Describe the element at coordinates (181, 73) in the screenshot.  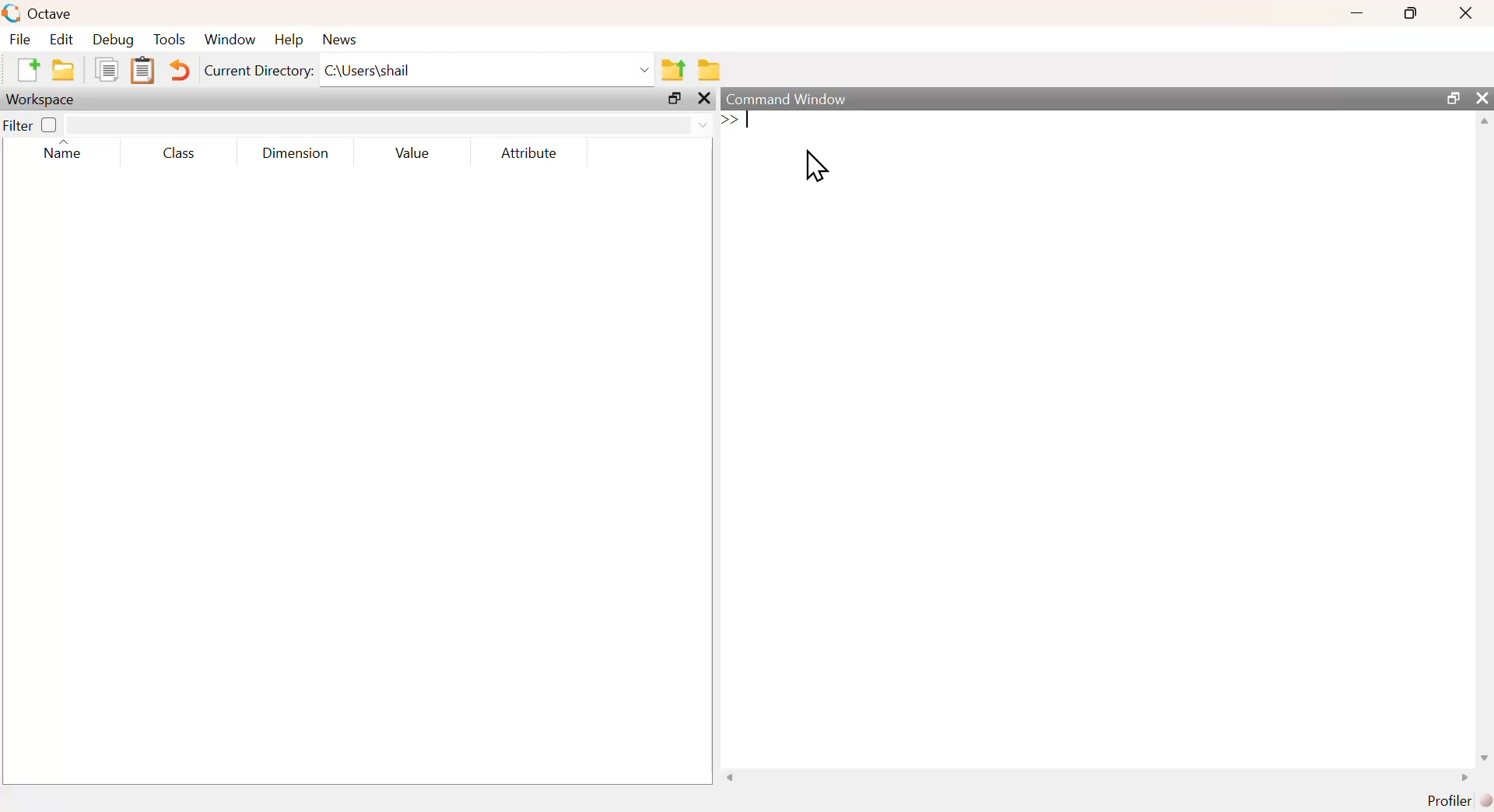
I see `undo` at that location.